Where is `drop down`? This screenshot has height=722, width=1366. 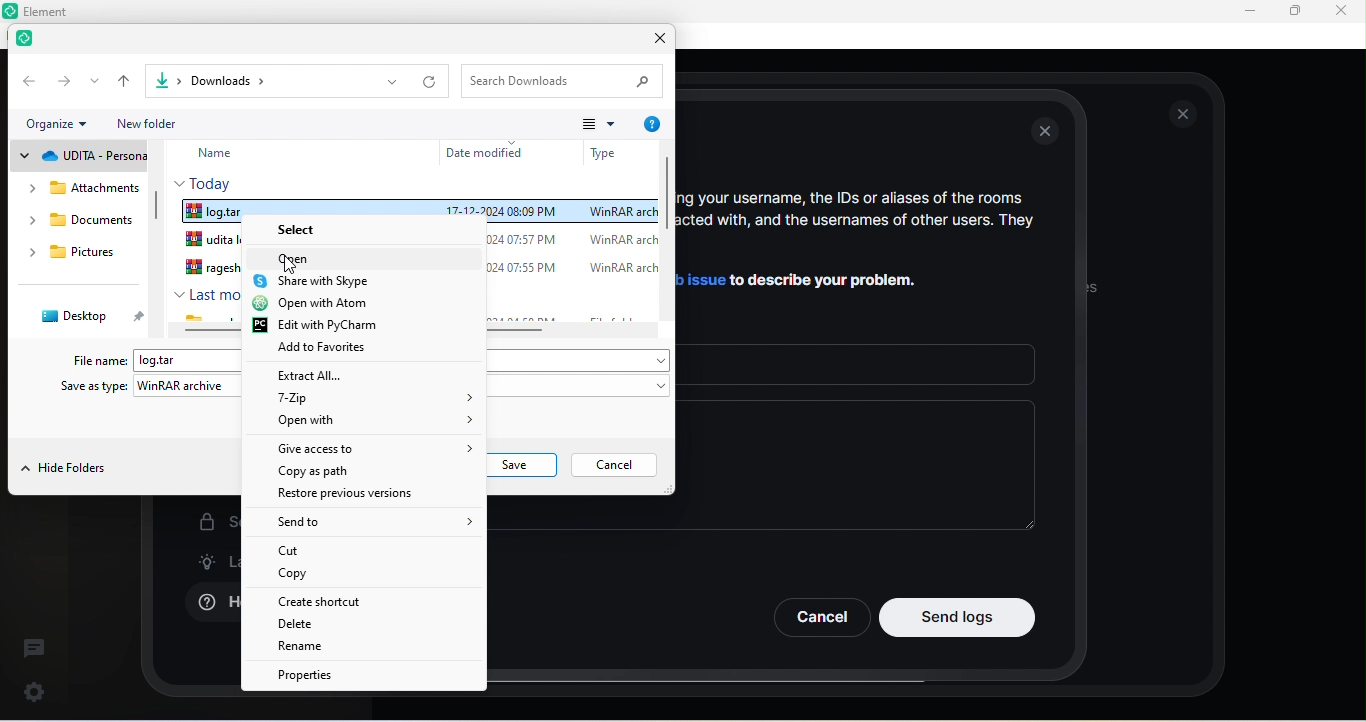 drop down is located at coordinates (95, 81).